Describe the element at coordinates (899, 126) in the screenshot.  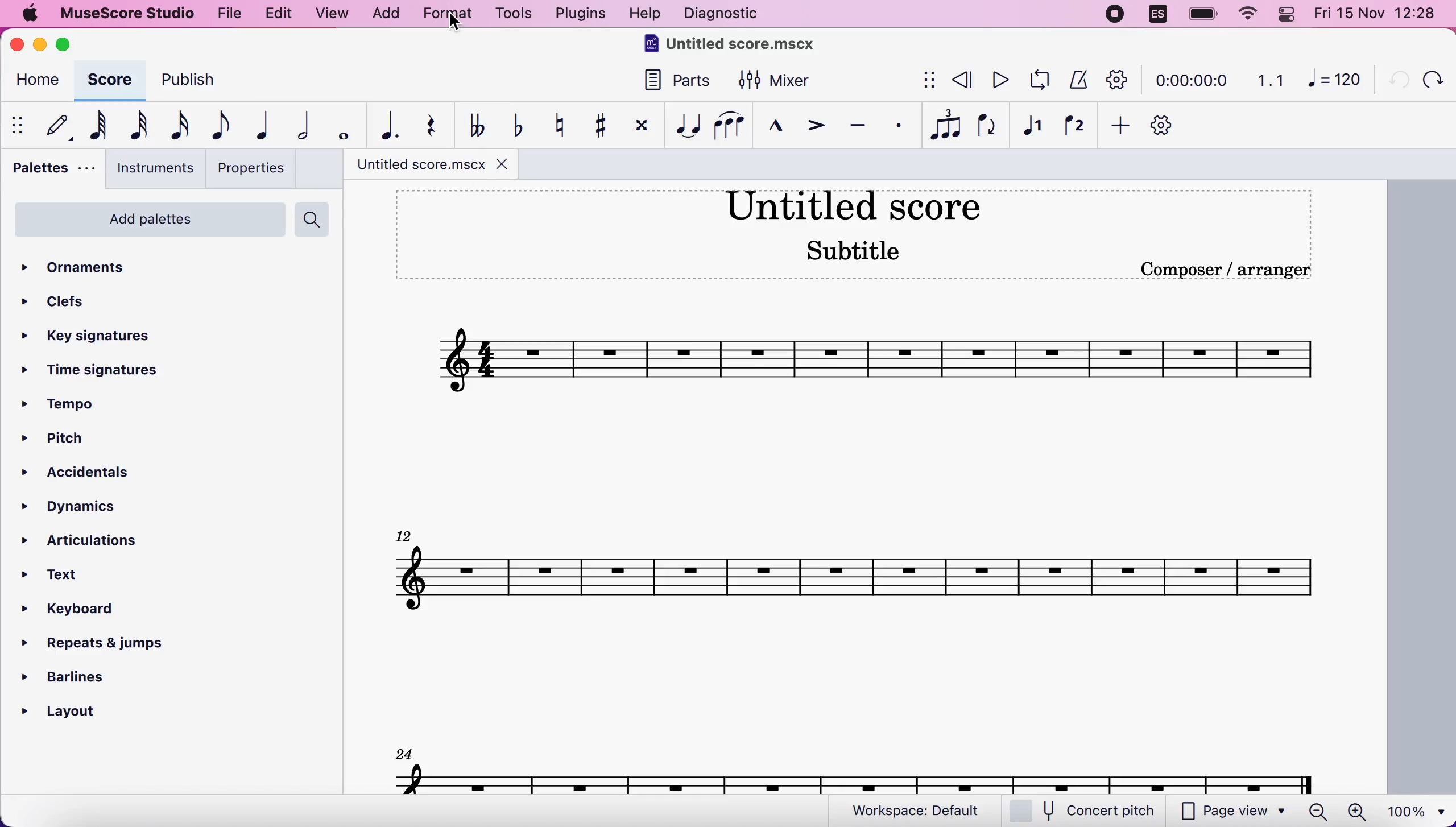
I see `staccato` at that location.